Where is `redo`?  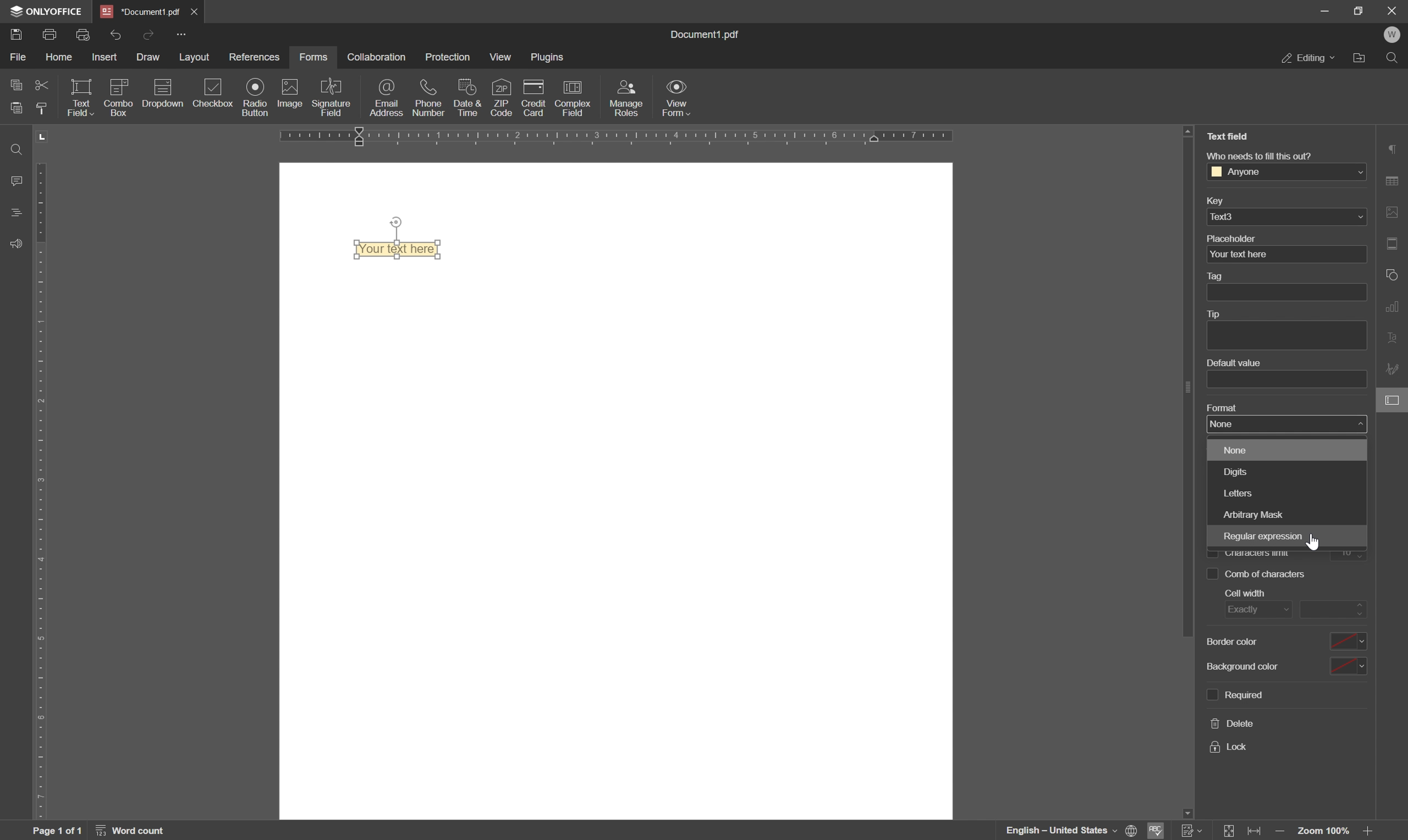
redo is located at coordinates (149, 33).